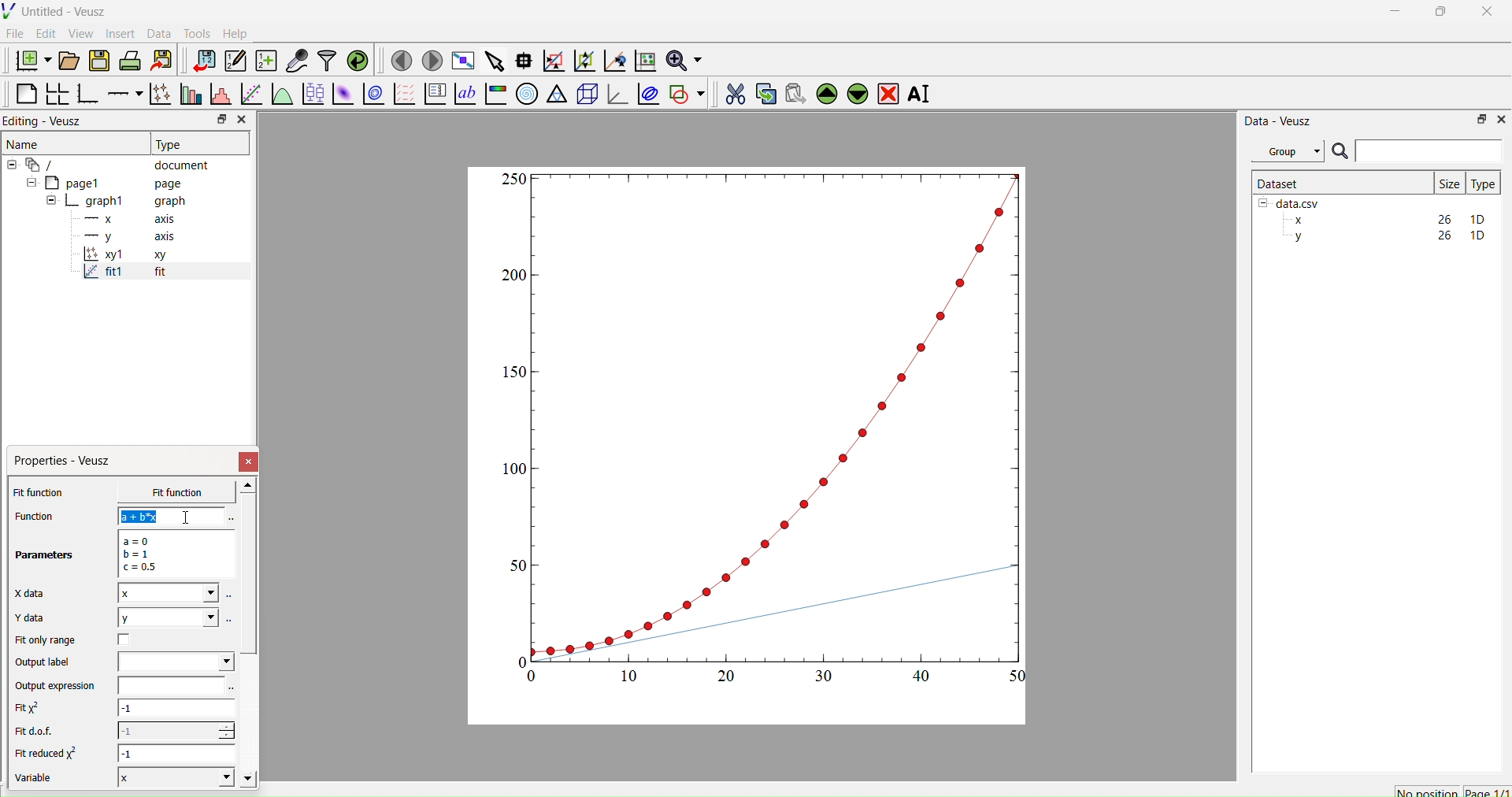 Image resolution: width=1512 pixels, height=797 pixels. What do you see at coordinates (218, 120) in the screenshot?
I see `Restore down` at bounding box center [218, 120].